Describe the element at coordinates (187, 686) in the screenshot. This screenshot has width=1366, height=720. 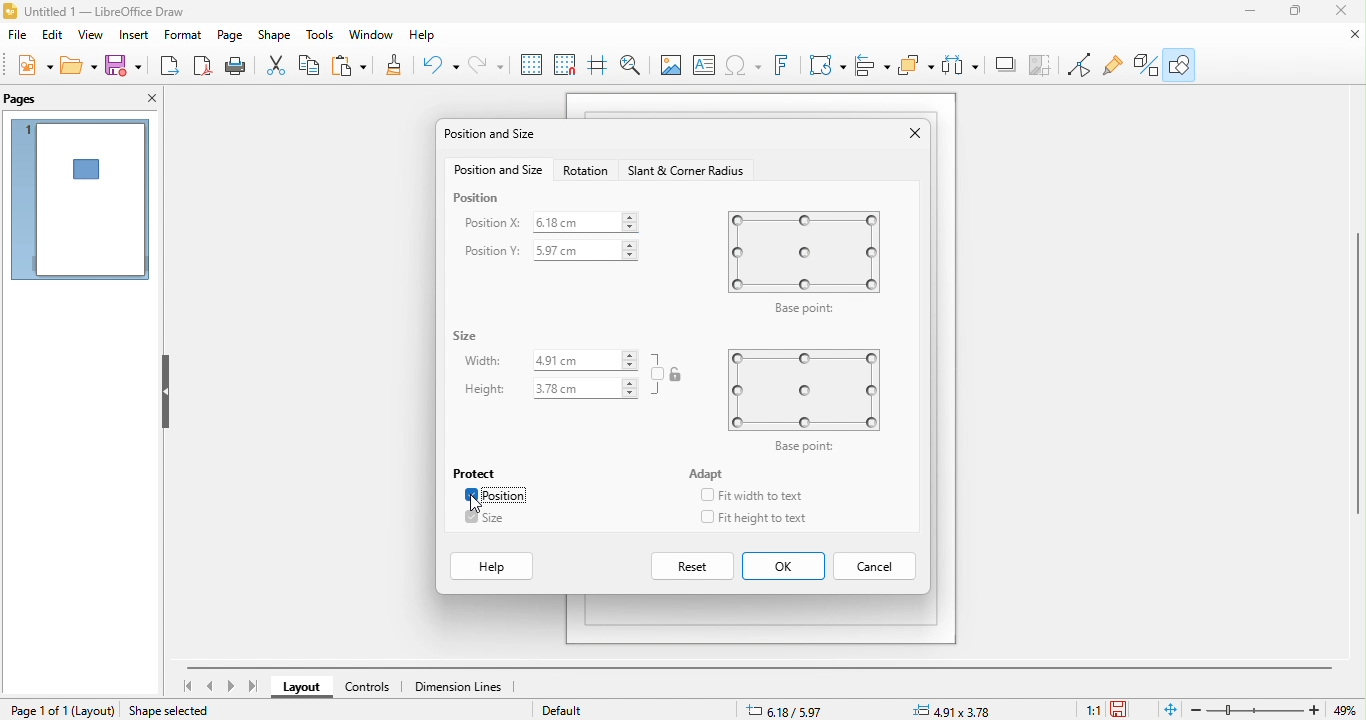
I see `first page` at that location.